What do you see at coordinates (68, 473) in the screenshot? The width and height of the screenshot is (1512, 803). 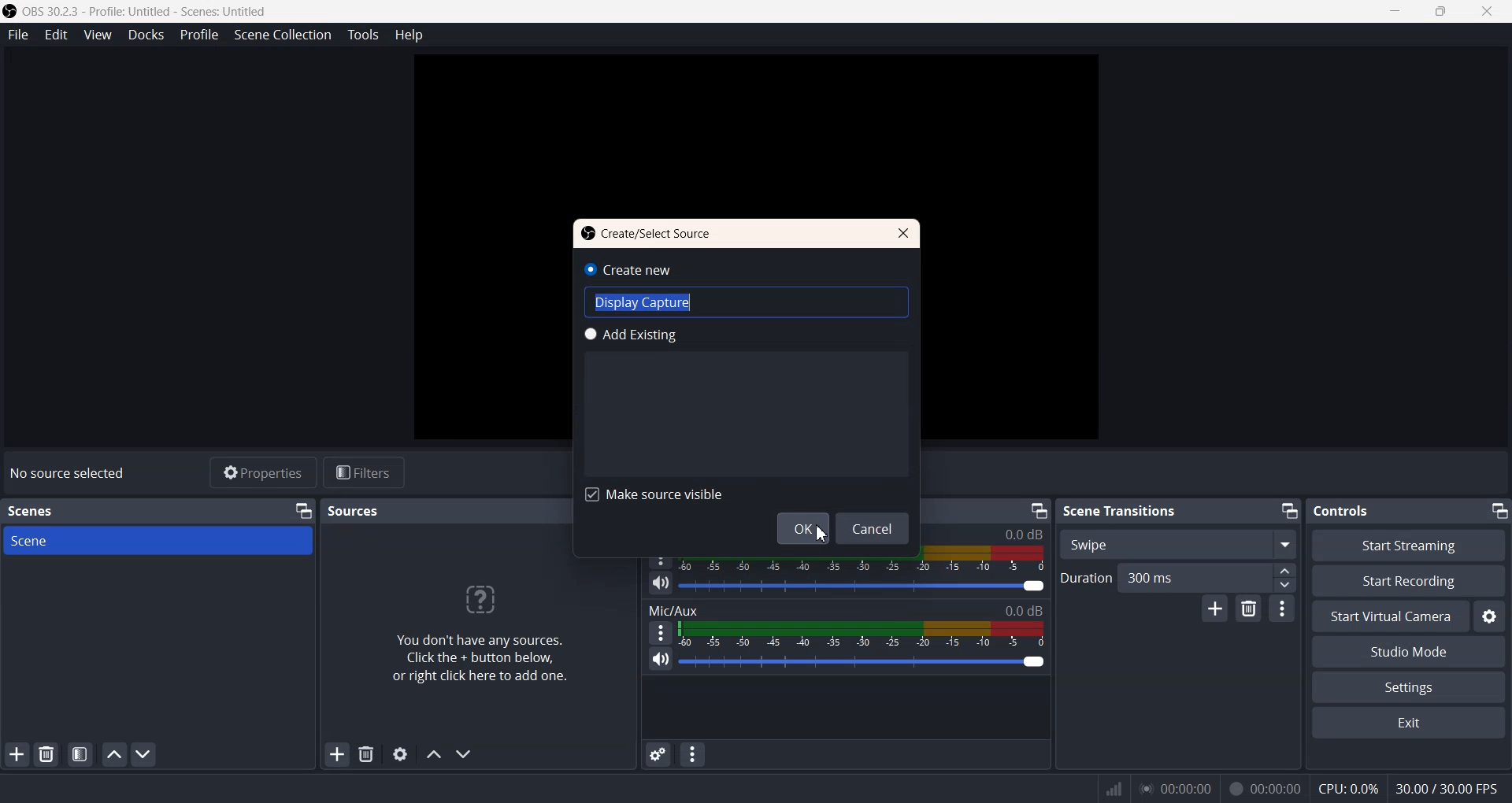 I see `Text` at bounding box center [68, 473].